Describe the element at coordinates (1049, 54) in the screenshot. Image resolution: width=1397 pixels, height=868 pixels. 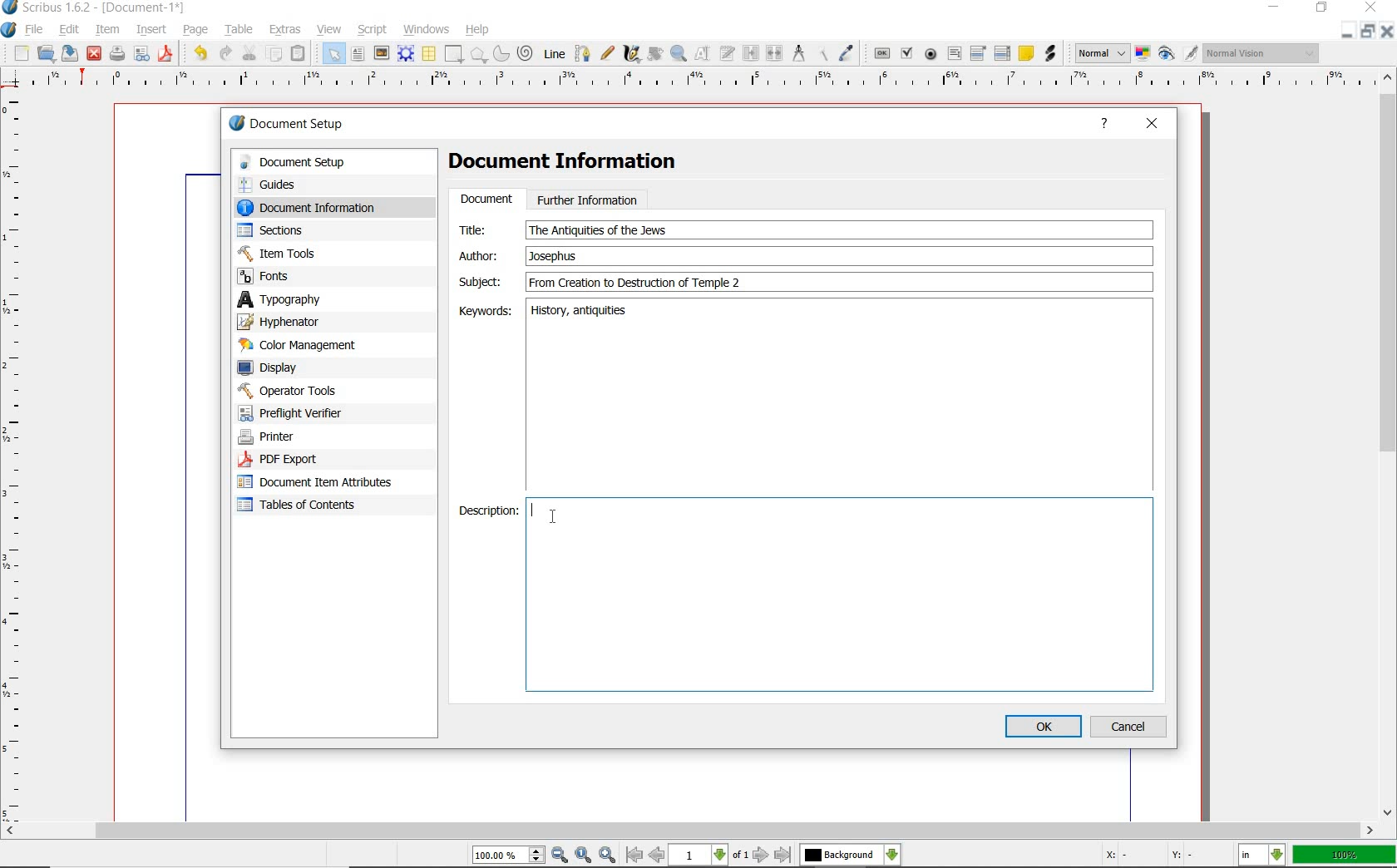
I see `link annotation` at that location.